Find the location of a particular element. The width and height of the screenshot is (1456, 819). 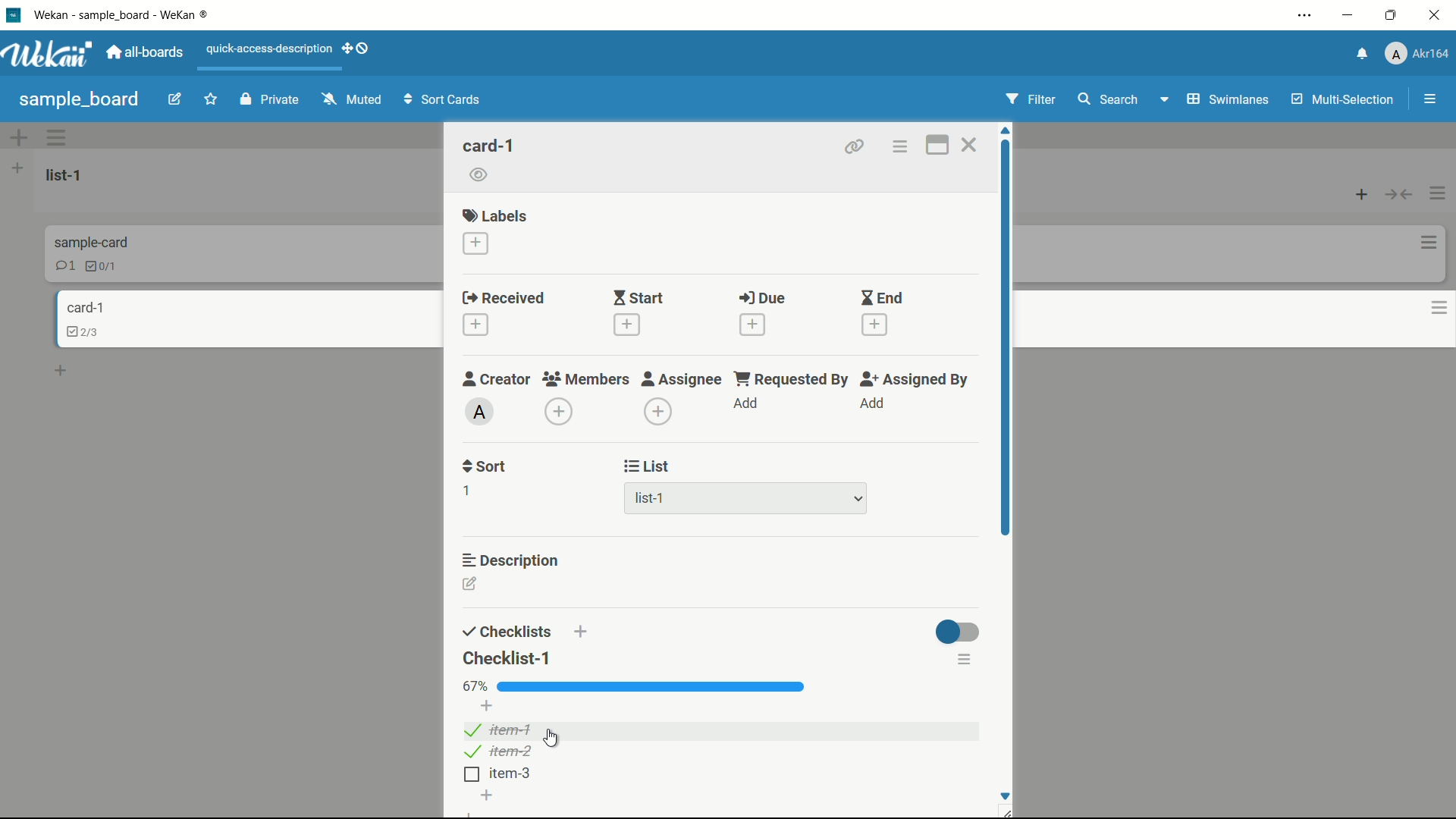

assigned by is located at coordinates (915, 381).